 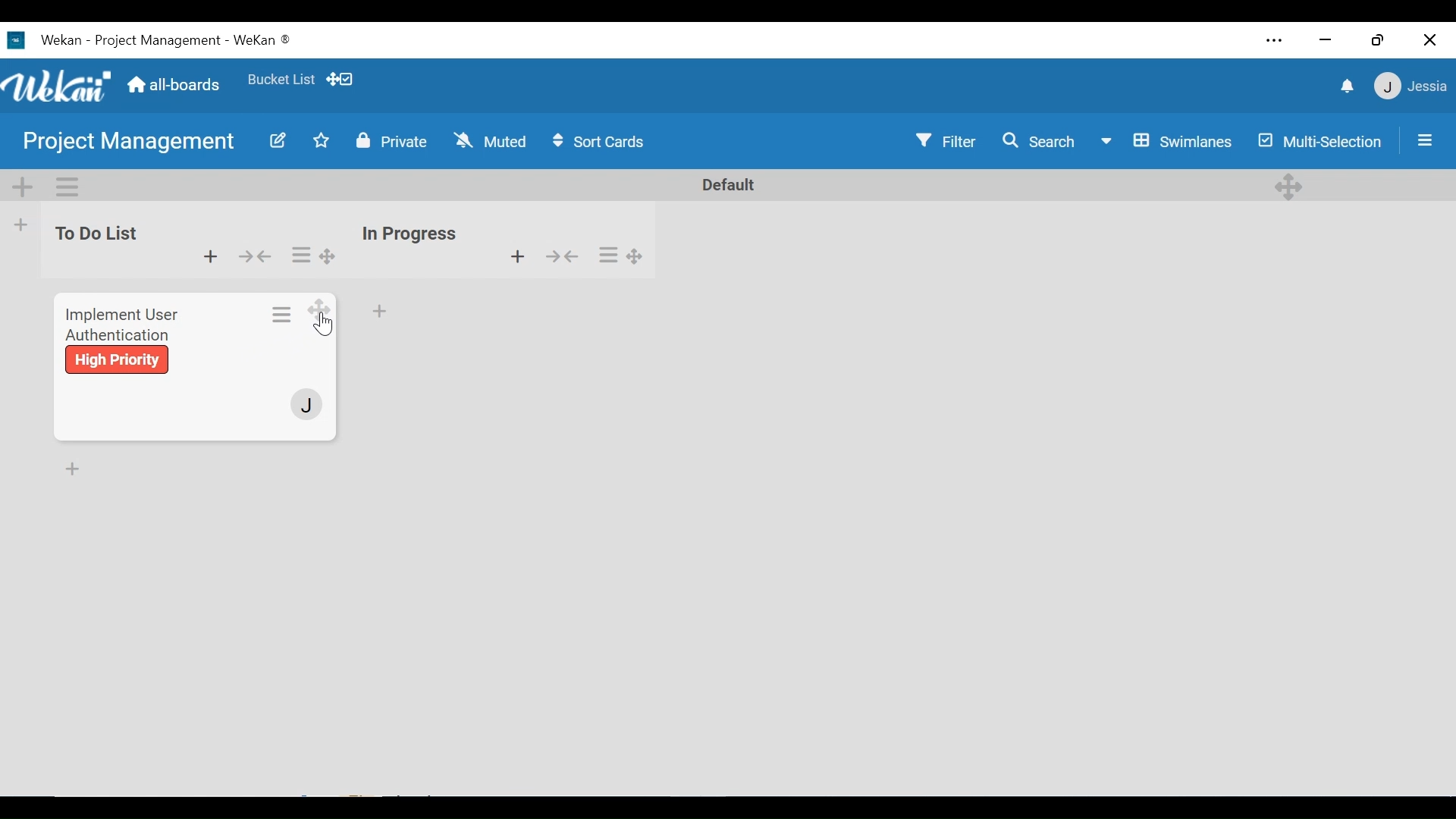 What do you see at coordinates (601, 143) in the screenshot?
I see ` Sort Cards` at bounding box center [601, 143].